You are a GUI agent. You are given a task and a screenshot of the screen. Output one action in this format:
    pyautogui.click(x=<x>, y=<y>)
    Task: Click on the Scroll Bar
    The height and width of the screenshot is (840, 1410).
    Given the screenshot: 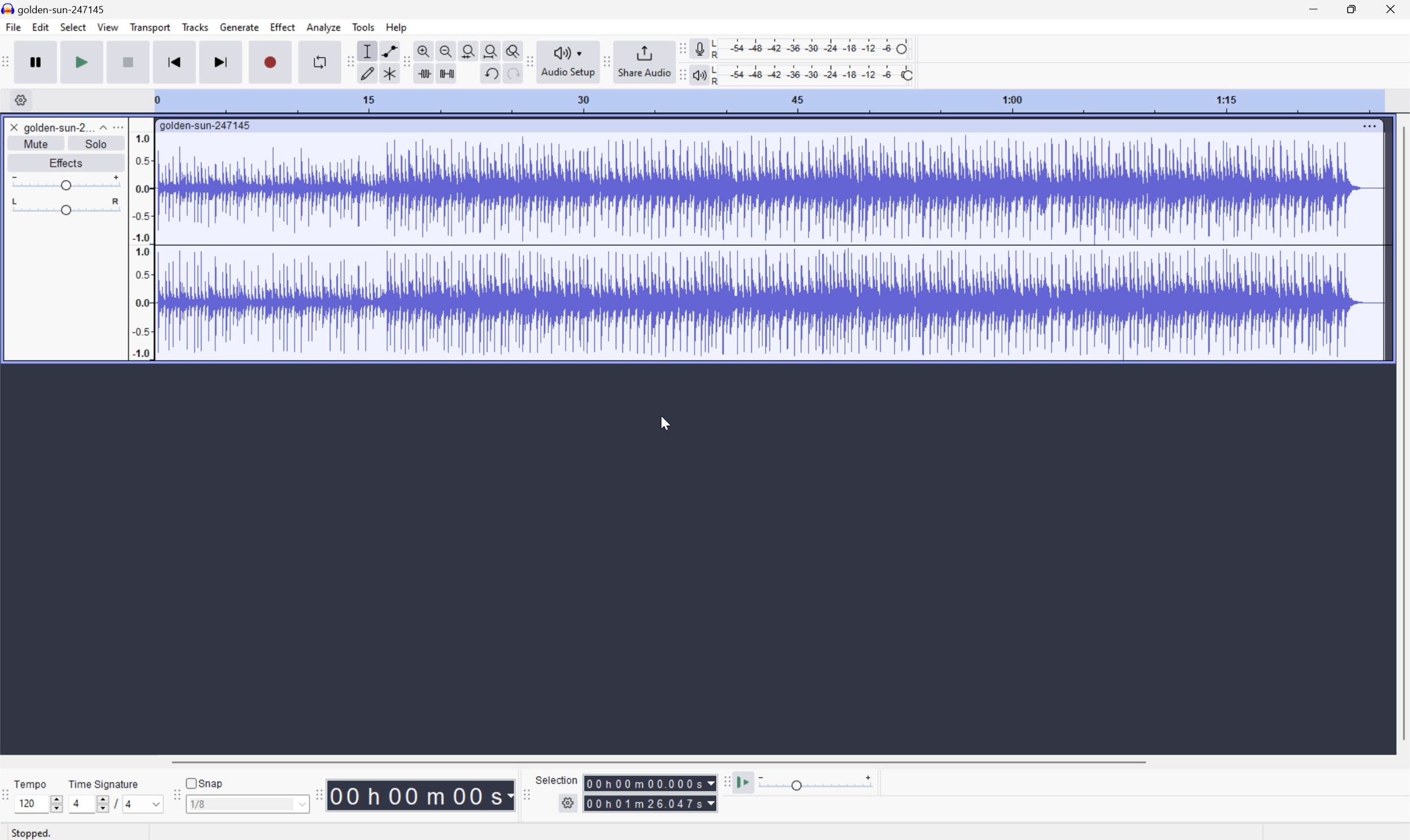 What is the action you would take?
    pyautogui.click(x=1401, y=432)
    